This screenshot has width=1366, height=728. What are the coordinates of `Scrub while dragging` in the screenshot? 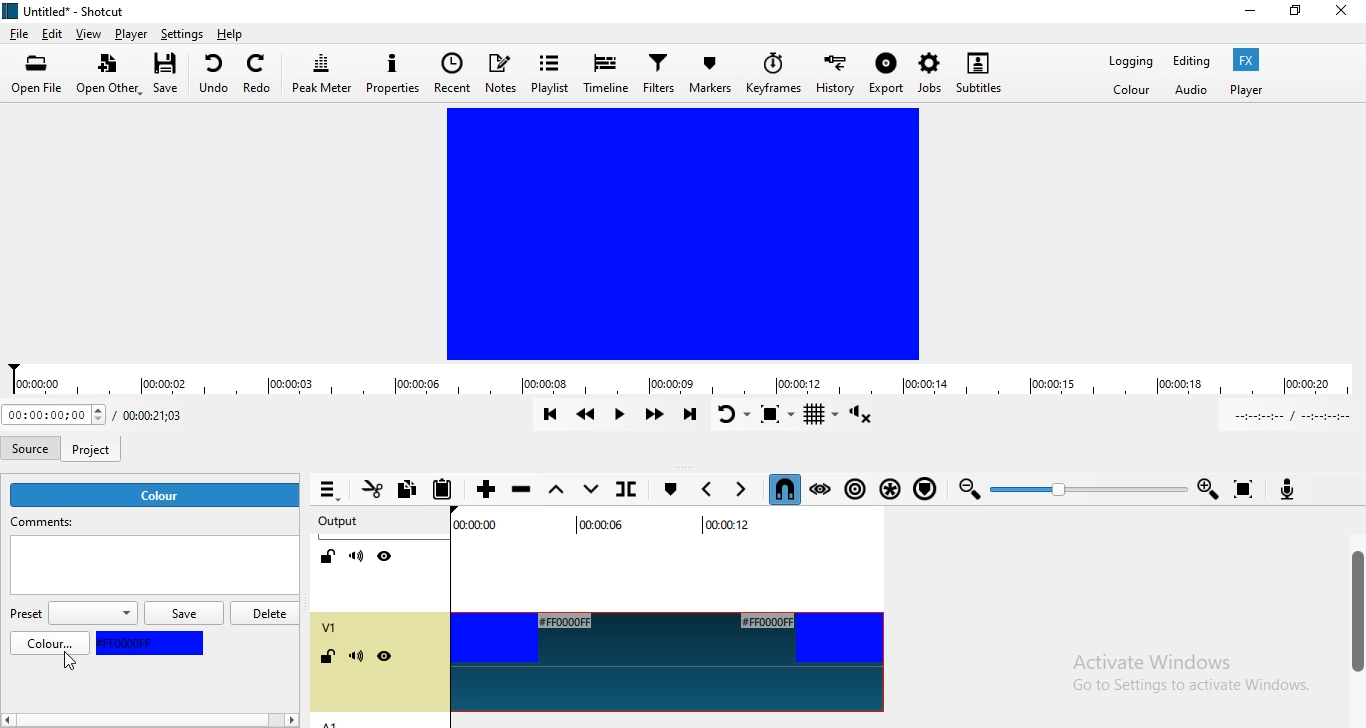 It's located at (822, 491).